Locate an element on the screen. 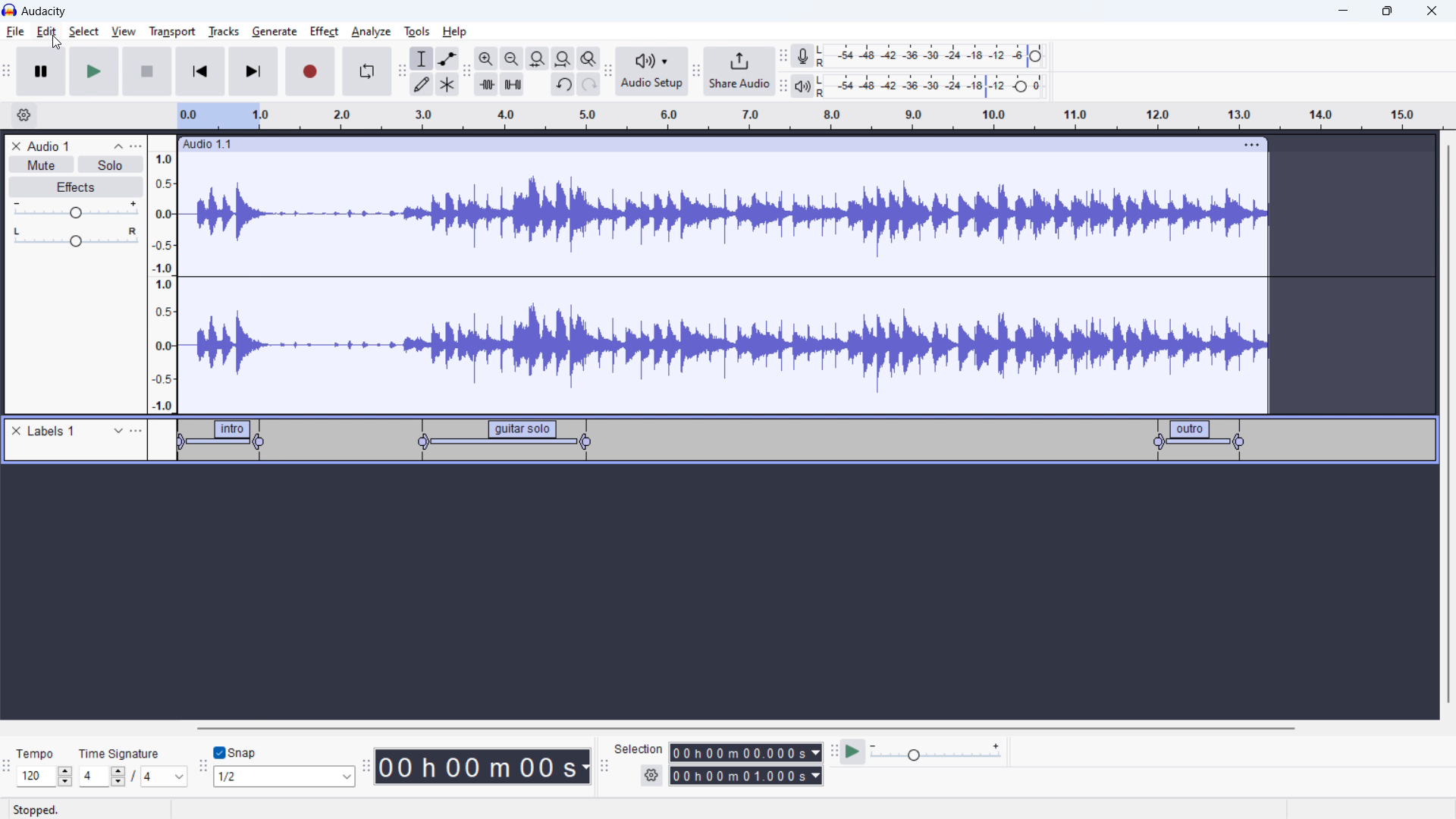 The width and height of the screenshot is (1456, 819). select is located at coordinates (83, 31).